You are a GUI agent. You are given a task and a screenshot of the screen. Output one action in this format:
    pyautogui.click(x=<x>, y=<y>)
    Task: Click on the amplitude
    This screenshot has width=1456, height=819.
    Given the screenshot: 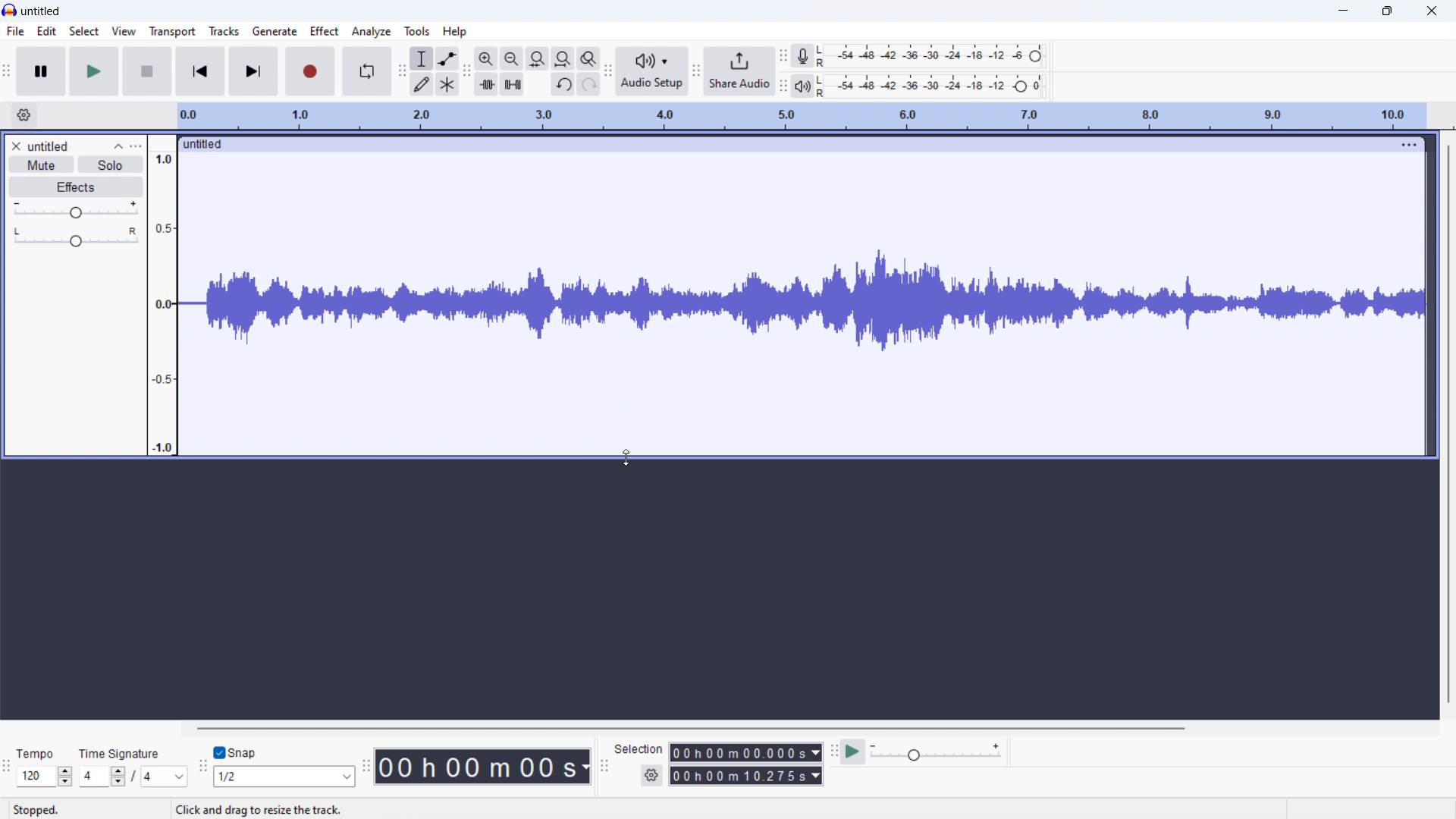 What is the action you would take?
    pyautogui.click(x=161, y=294)
    